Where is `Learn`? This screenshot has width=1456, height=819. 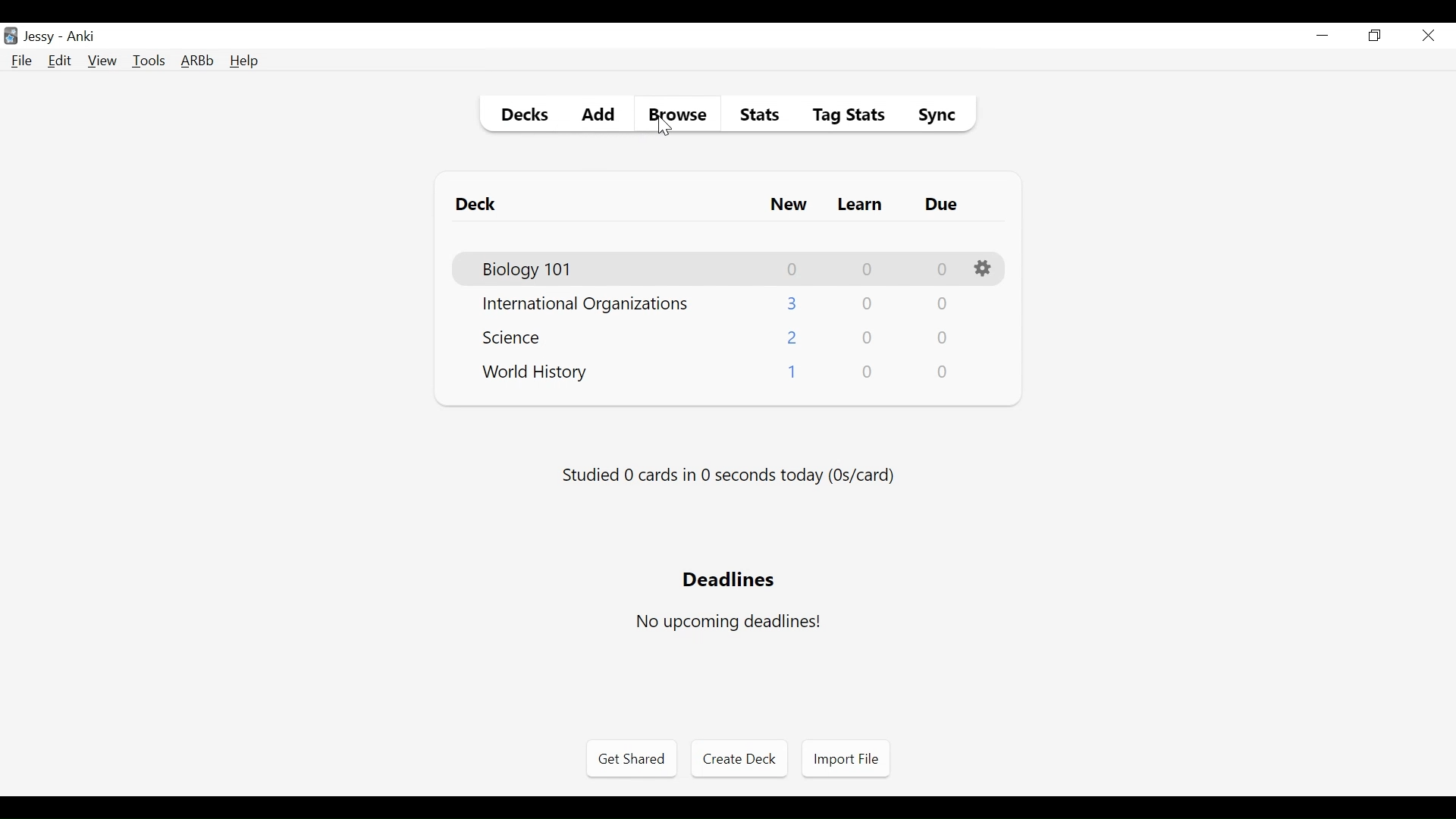 Learn is located at coordinates (859, 206).